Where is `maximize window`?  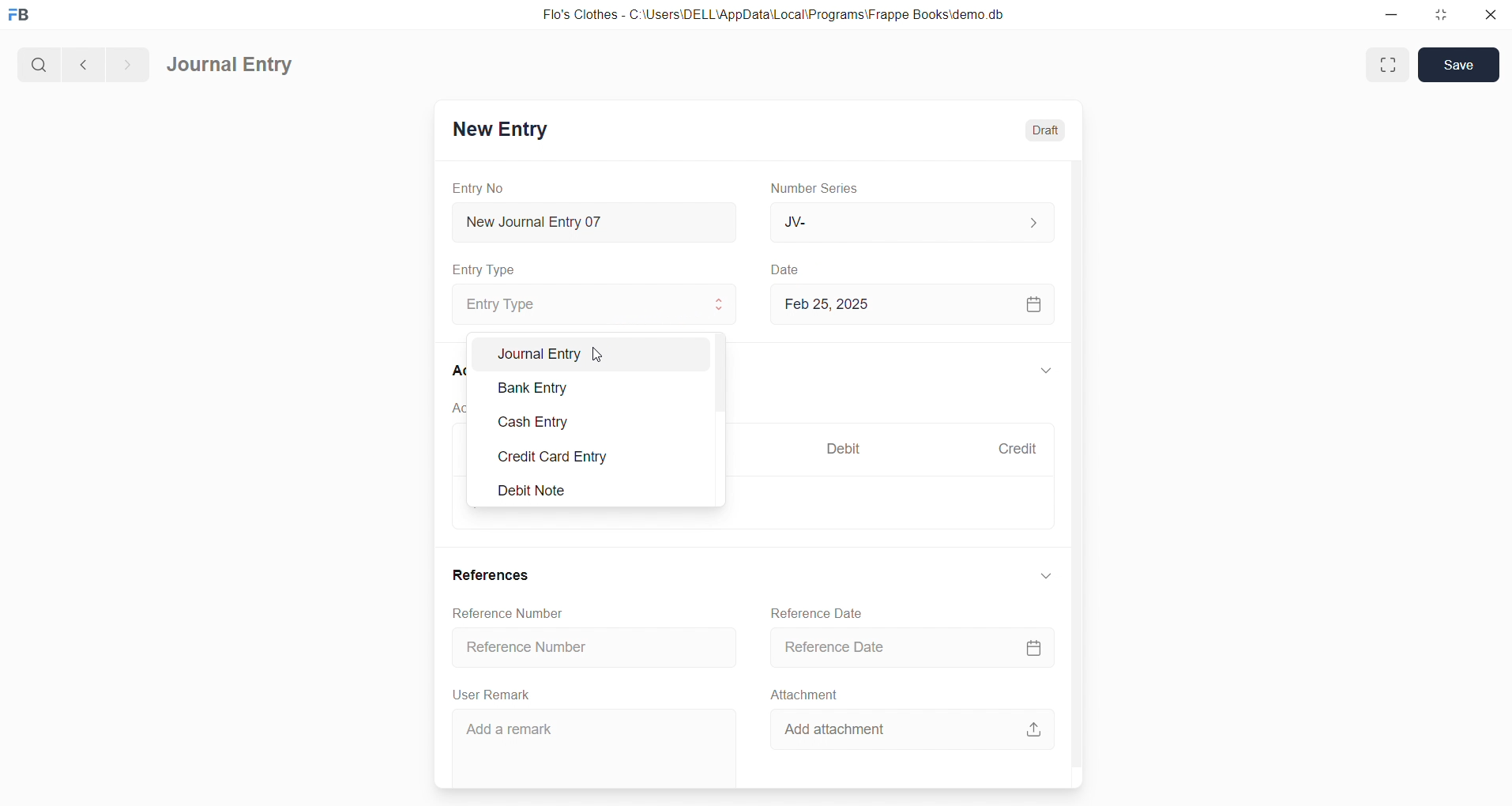
maximize window is located at coordinates (1390, 65).